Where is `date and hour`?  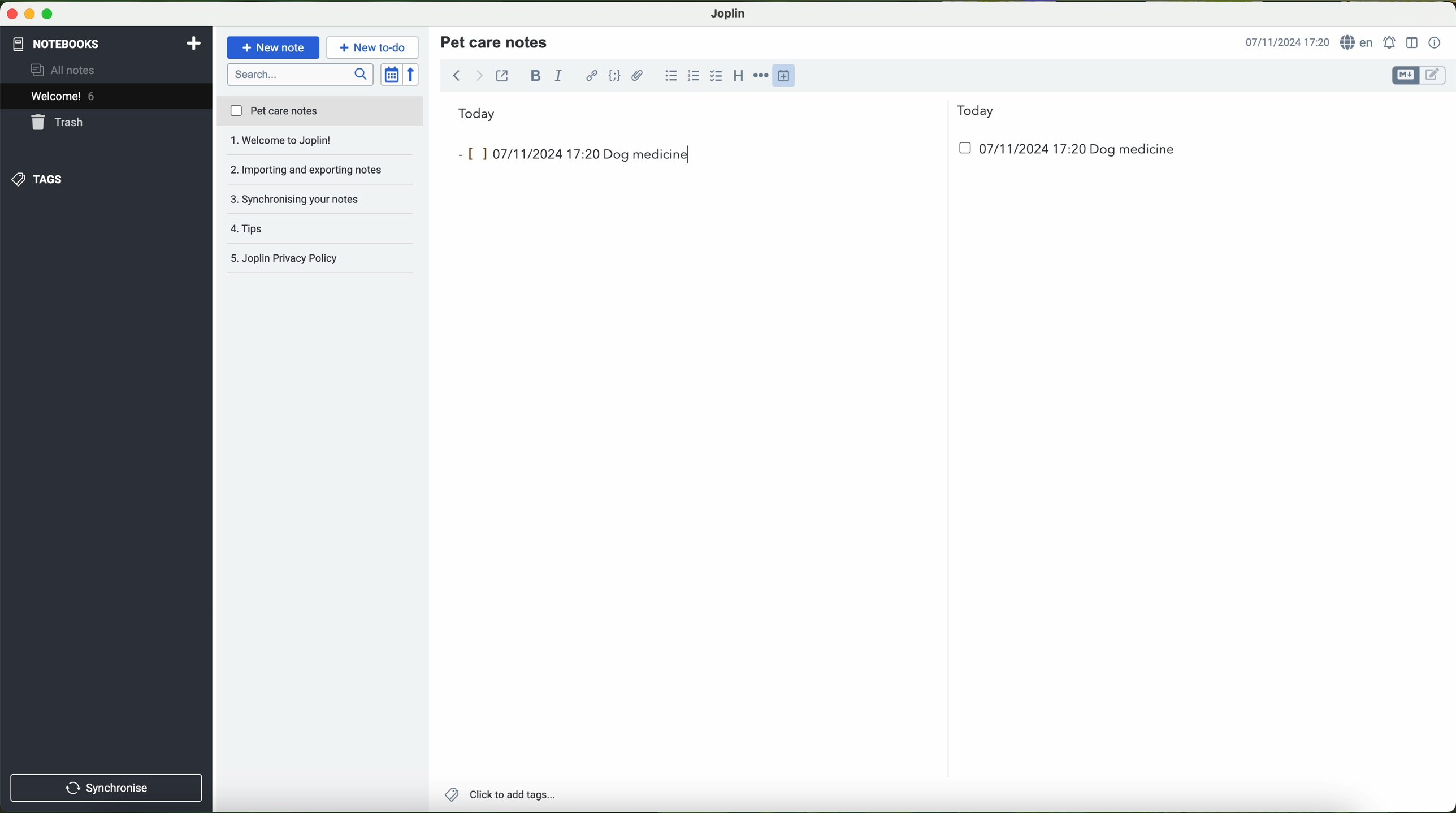
date and hour is located at coordinates (1013, 153).